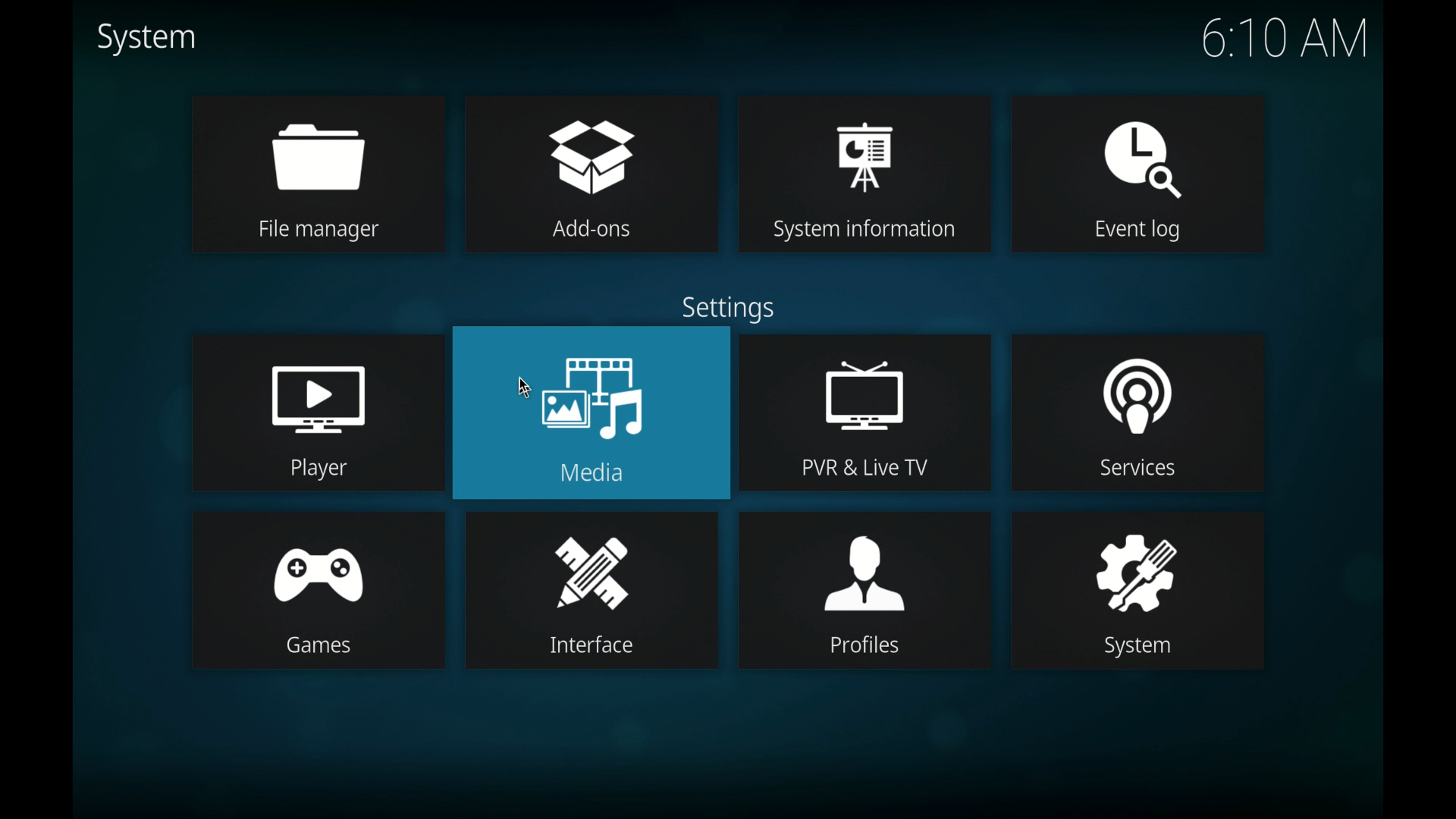 This screenshot has width=1456, height=819. What do you see at coordinates (1141, 174) in the screenshot?
I see `event log` at bounding box center [1141, 174].